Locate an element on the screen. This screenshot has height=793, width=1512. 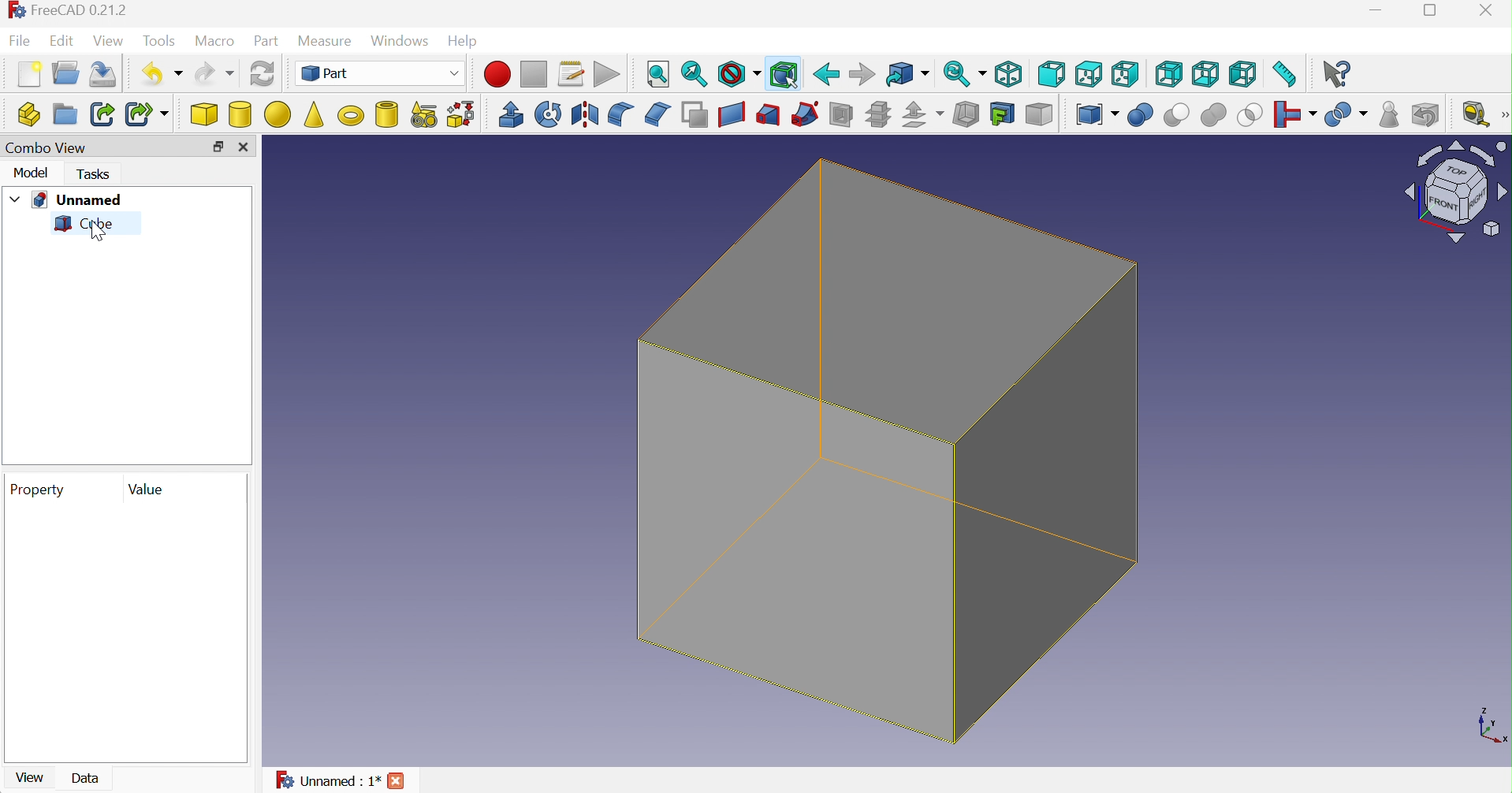
Right is located at coordinates (1125, 74).